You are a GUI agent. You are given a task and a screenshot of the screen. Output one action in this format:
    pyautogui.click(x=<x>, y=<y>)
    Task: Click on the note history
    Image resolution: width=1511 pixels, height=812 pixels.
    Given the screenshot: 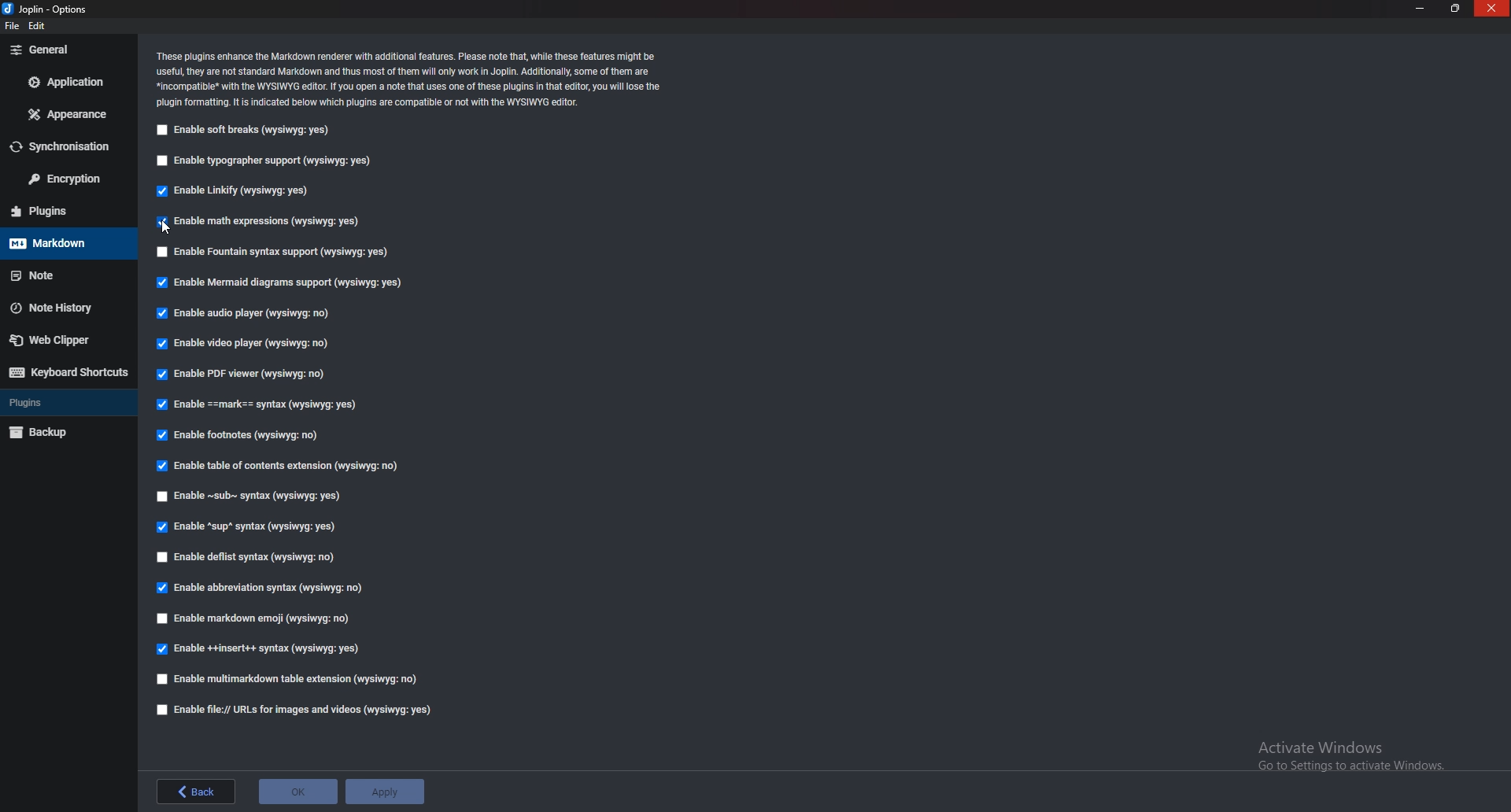 What is the action you would take?
    pyautogui.click(x=67, y=306)
    